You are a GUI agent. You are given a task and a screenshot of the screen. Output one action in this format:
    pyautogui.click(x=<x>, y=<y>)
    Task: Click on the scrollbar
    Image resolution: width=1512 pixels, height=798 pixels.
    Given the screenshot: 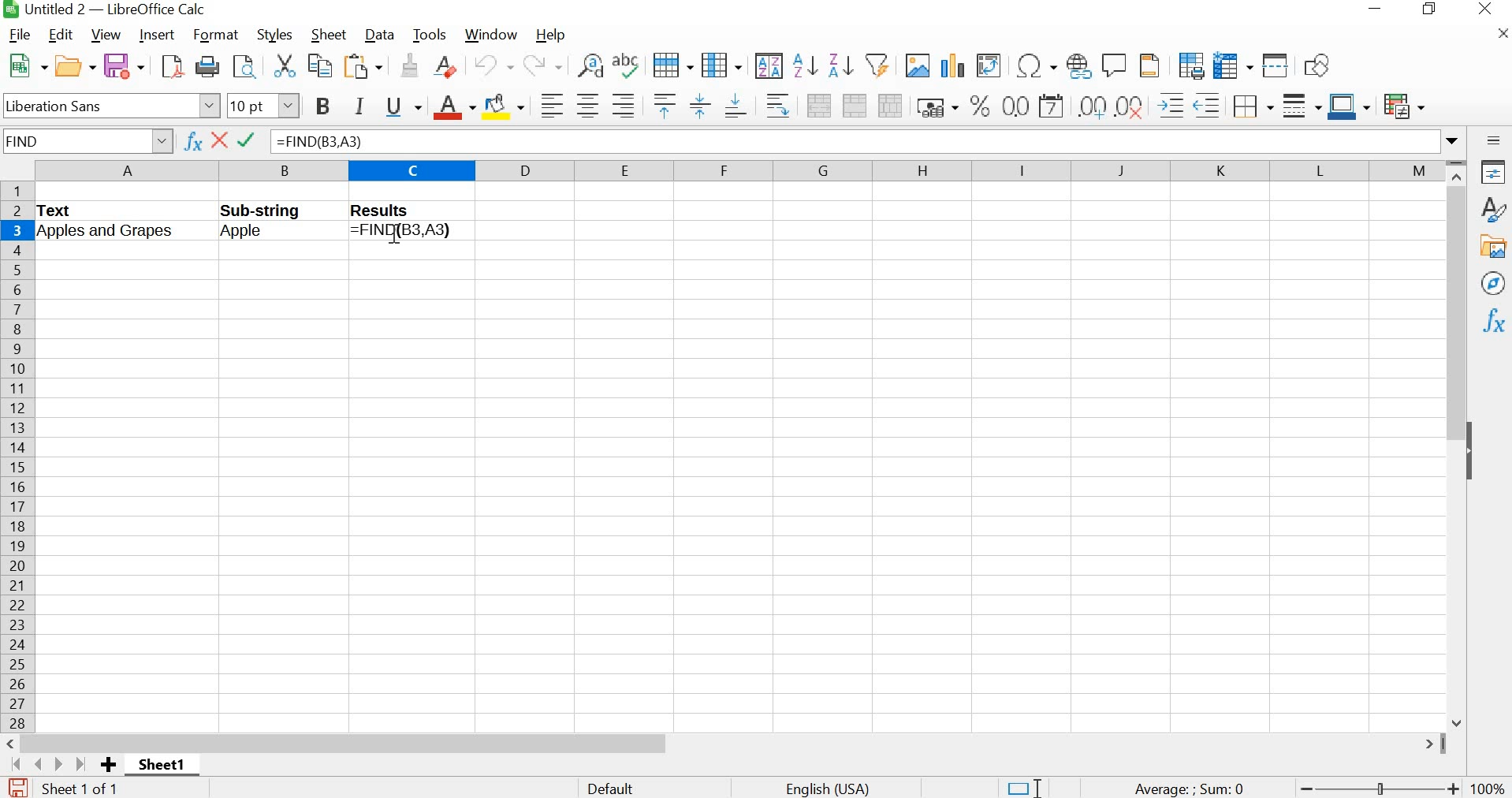 What is the action you would take?
    pyautogui.click(x=728, y=744)
    